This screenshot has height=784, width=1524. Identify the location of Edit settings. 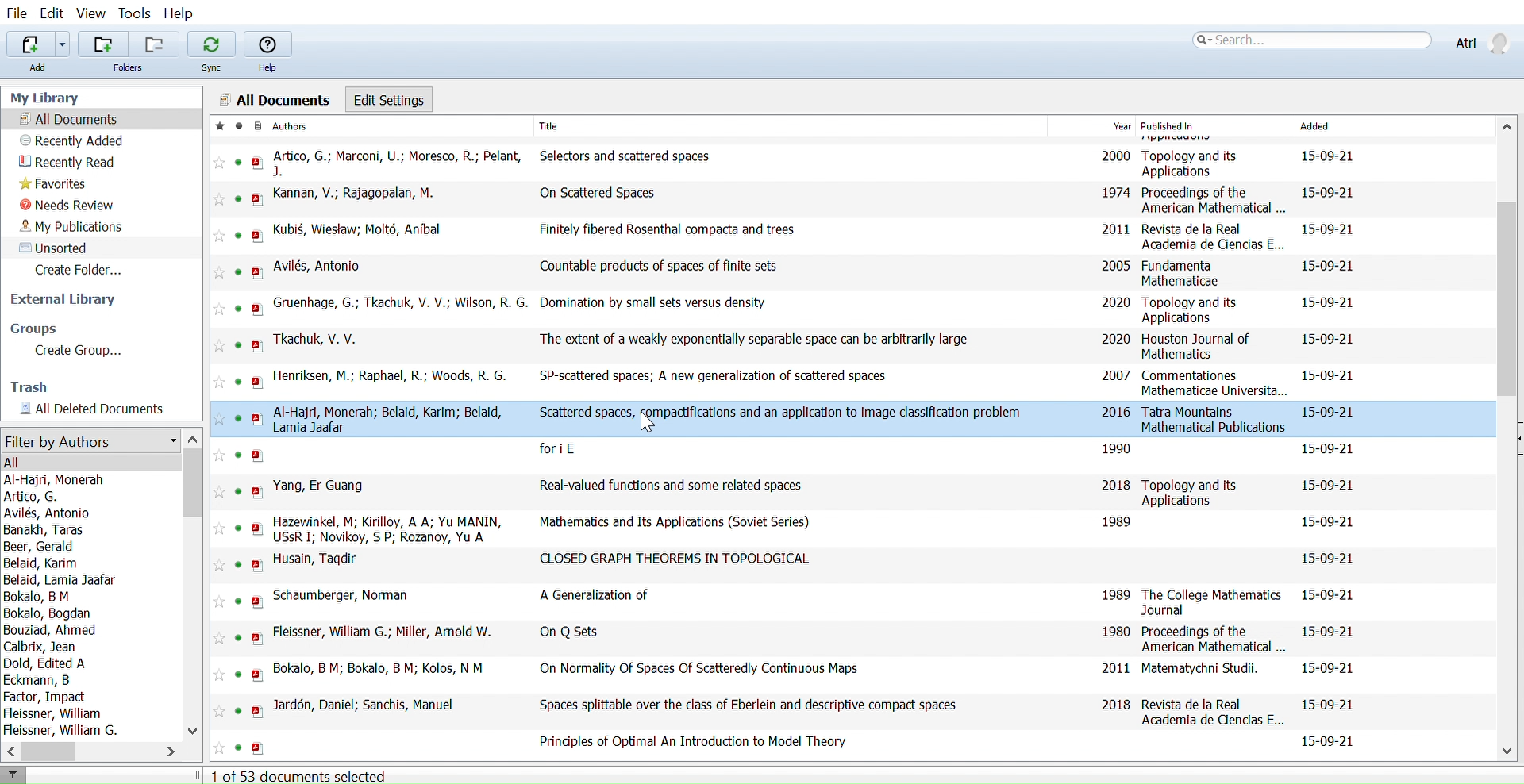
(390, 100).